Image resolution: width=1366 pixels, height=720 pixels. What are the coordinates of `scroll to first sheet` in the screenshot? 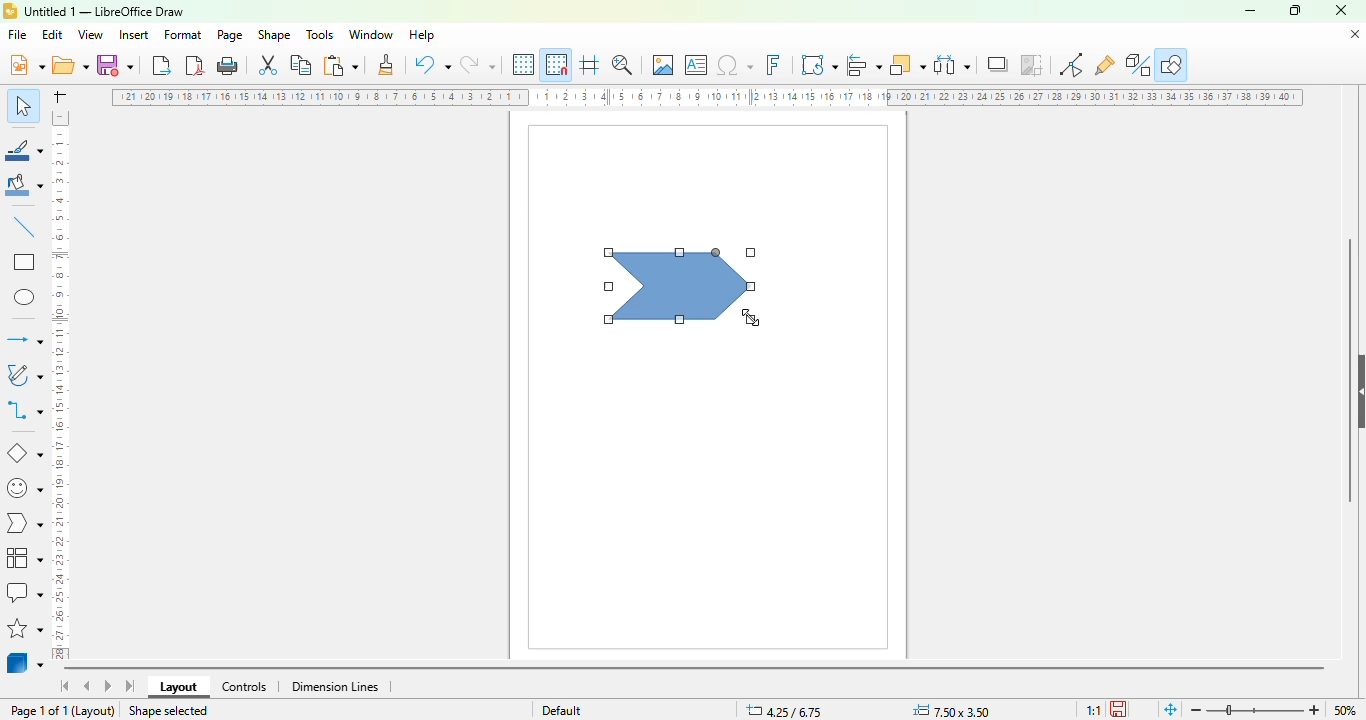 It's located at (66, 686).